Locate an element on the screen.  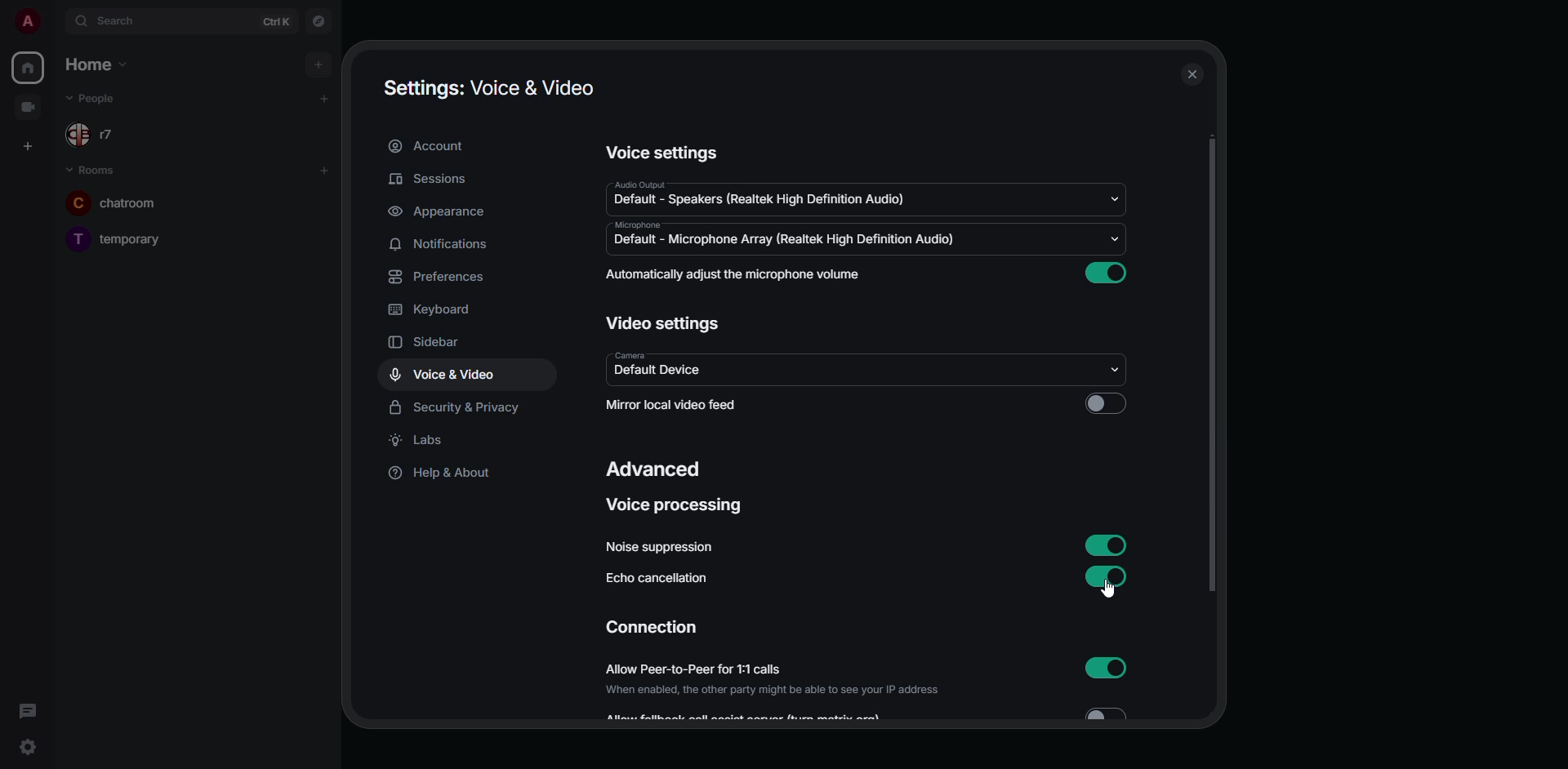
drop down is located at coordinates (1116, 238).